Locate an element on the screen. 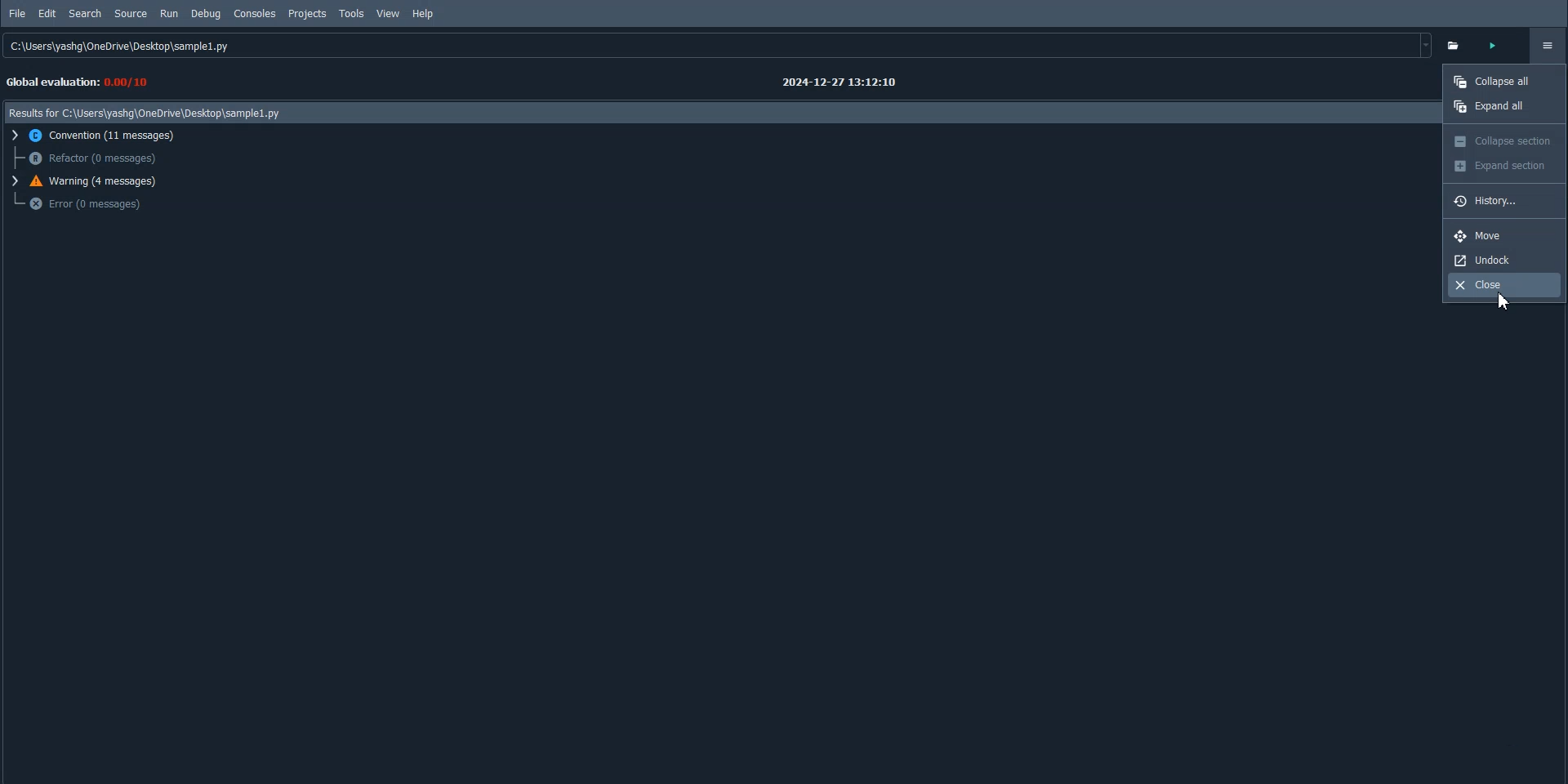 Image resolution: width=1568 pixels, height=784 pixels. Undock is located at coordinates (1505, 260).